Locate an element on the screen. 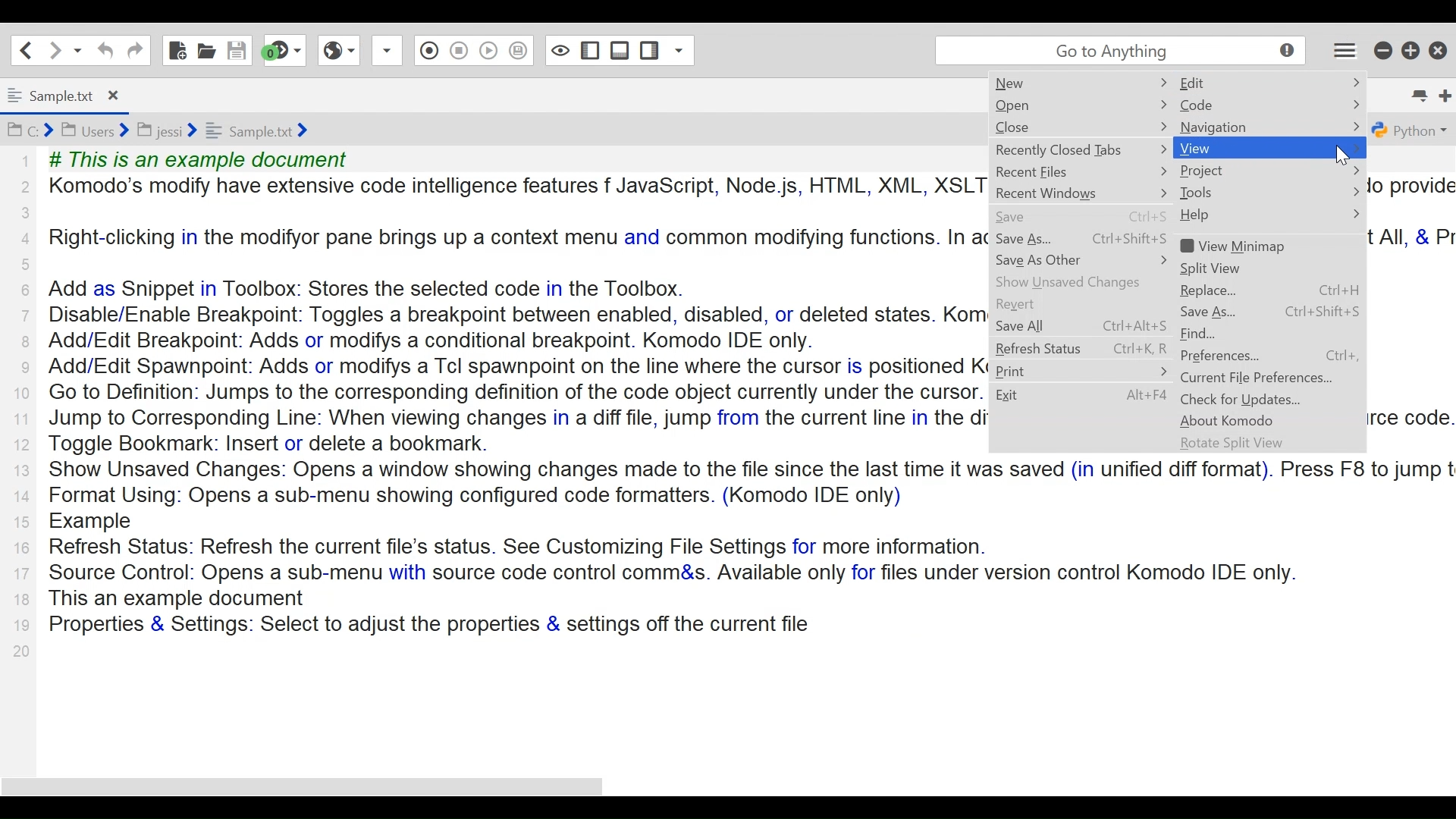 This screenshot has width=1456, height=819. Code is located at coordinates (1226, 105).